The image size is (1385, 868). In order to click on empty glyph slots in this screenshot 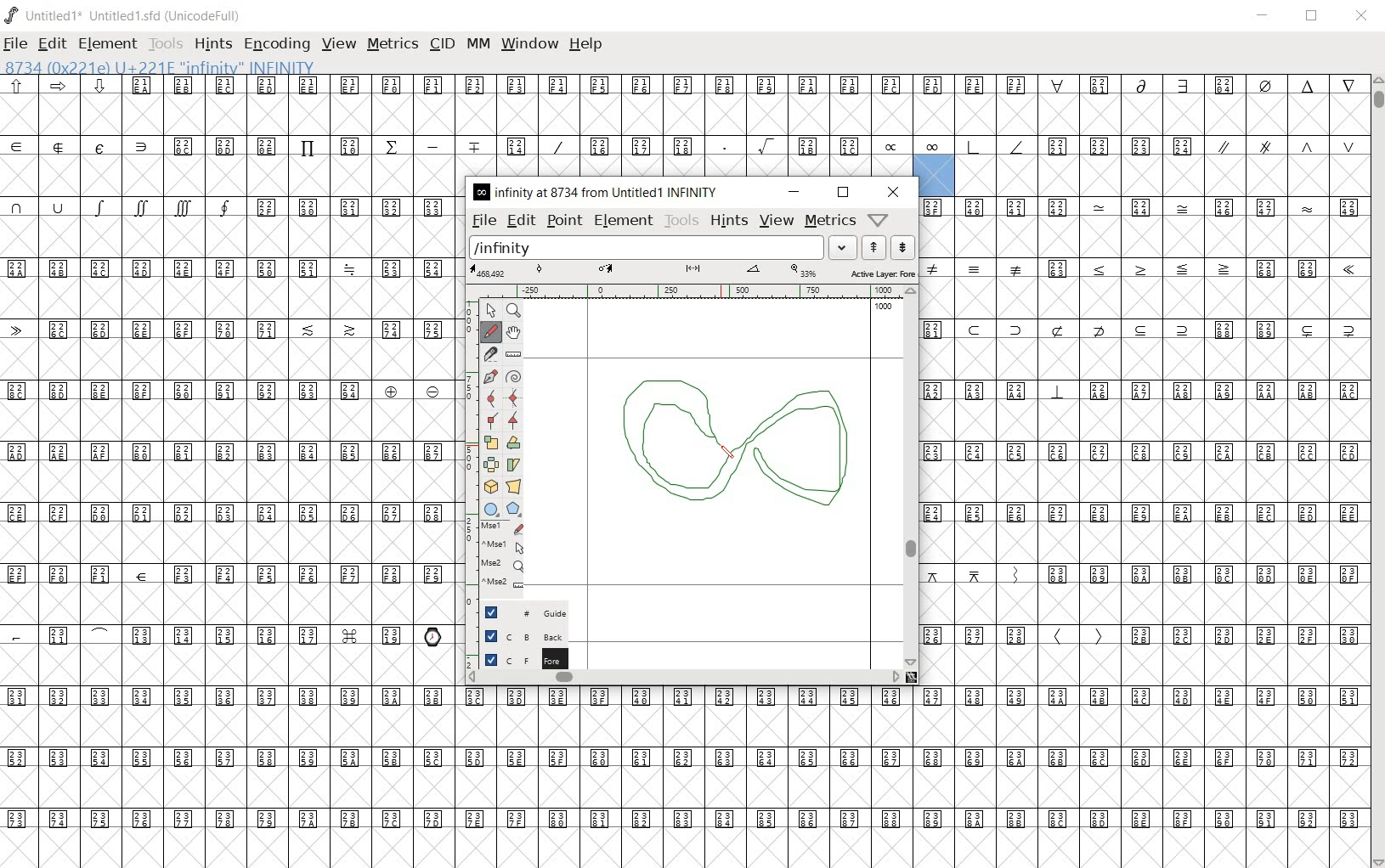, I will do `click(1145, 359)`.